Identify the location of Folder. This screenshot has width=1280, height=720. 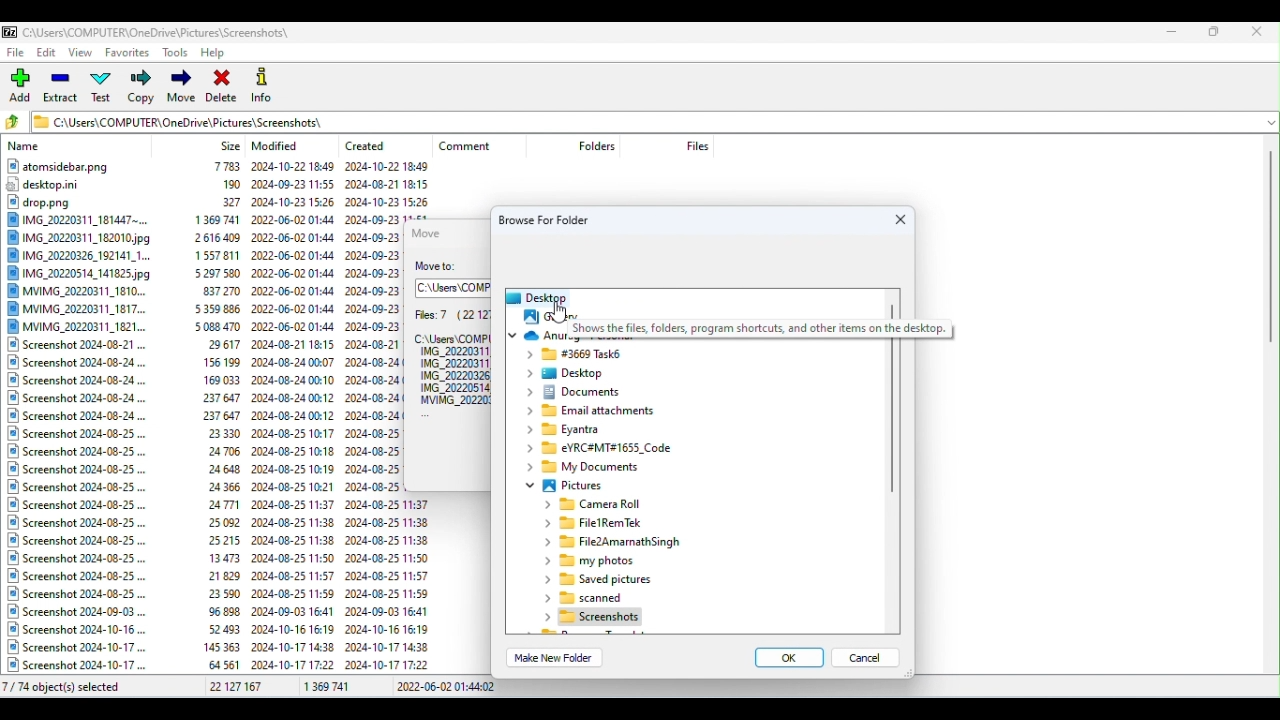
(600, 619).